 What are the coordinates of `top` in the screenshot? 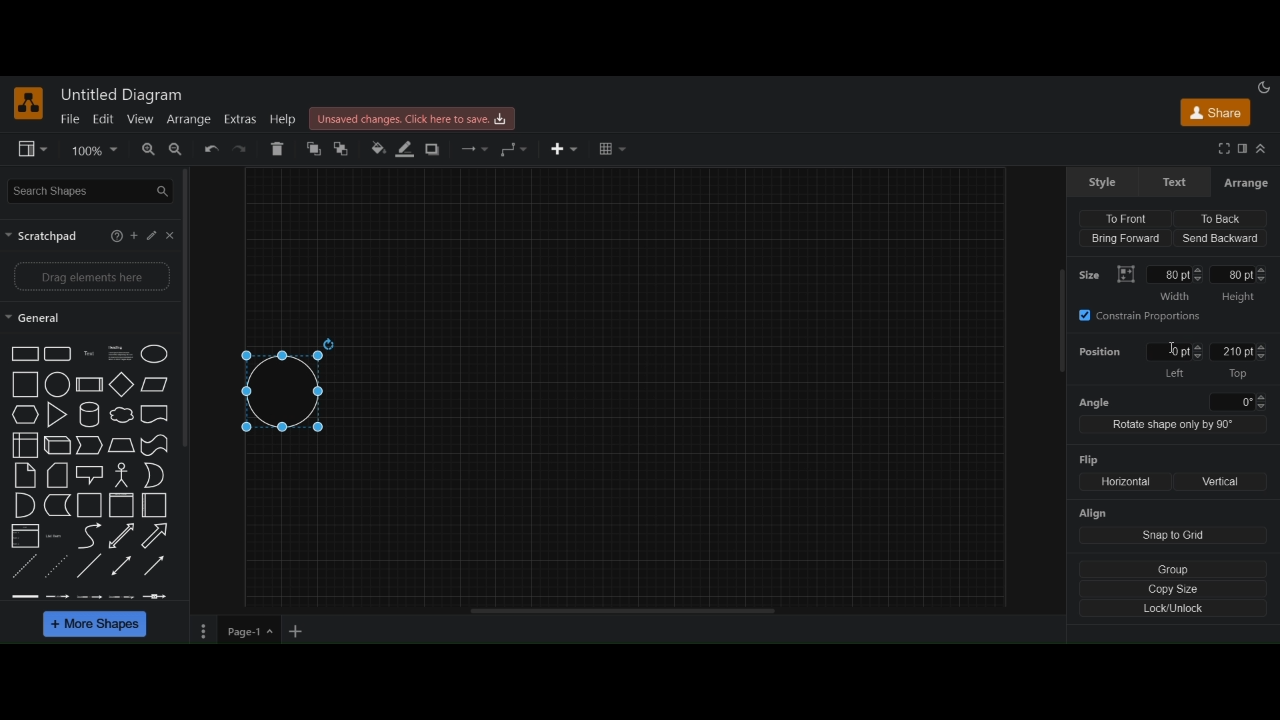 It's located at (1240, 361).